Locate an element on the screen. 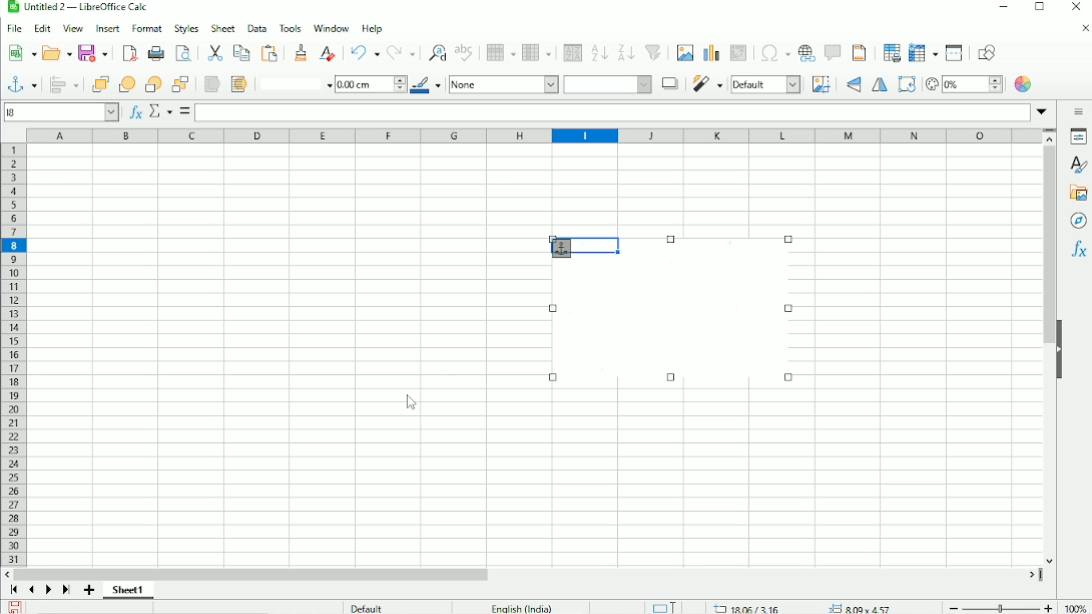  Help is located at coordinates (372, 28).